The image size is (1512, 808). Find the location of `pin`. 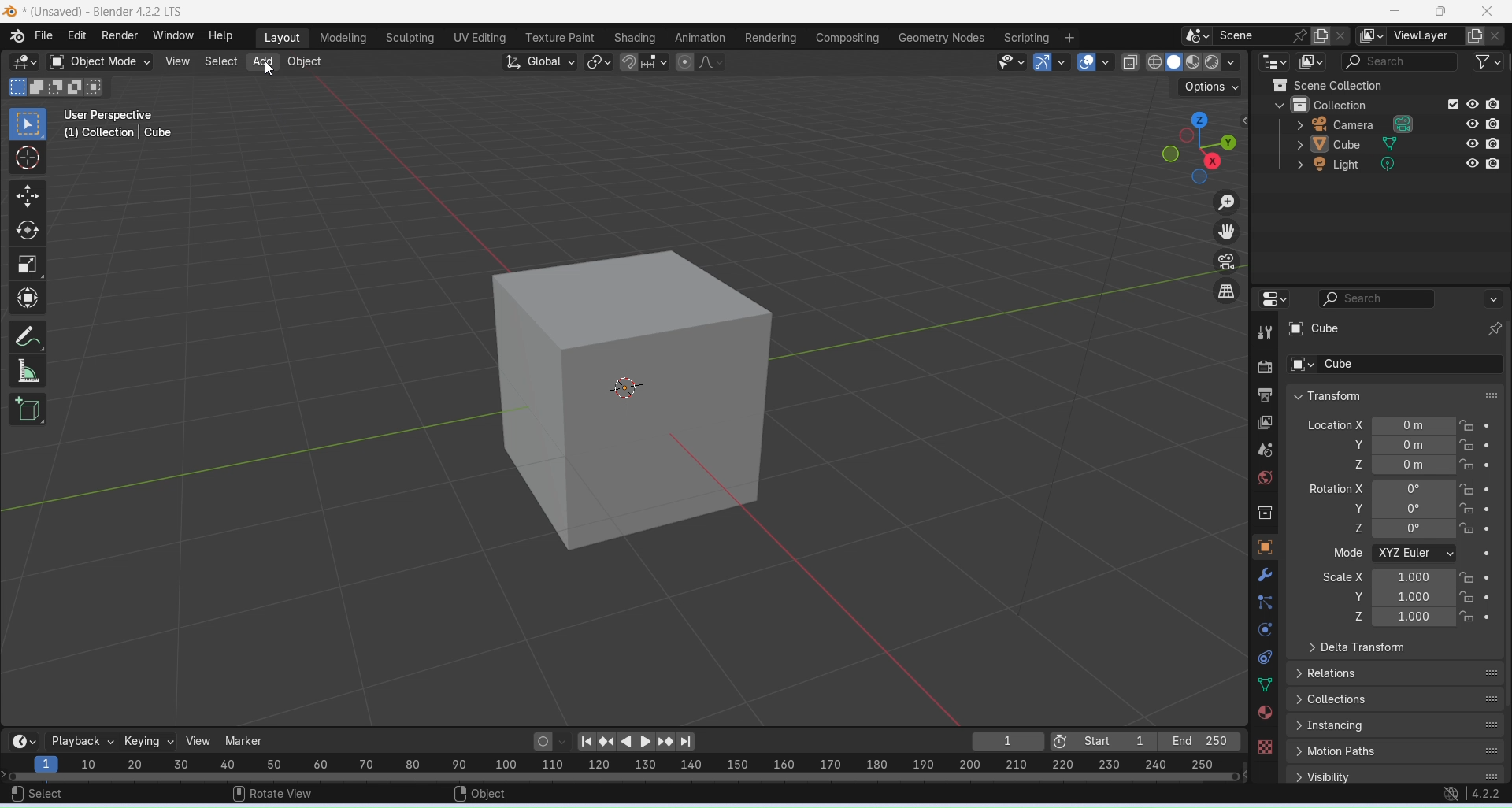

pin is located at coordinates (1298, 35).